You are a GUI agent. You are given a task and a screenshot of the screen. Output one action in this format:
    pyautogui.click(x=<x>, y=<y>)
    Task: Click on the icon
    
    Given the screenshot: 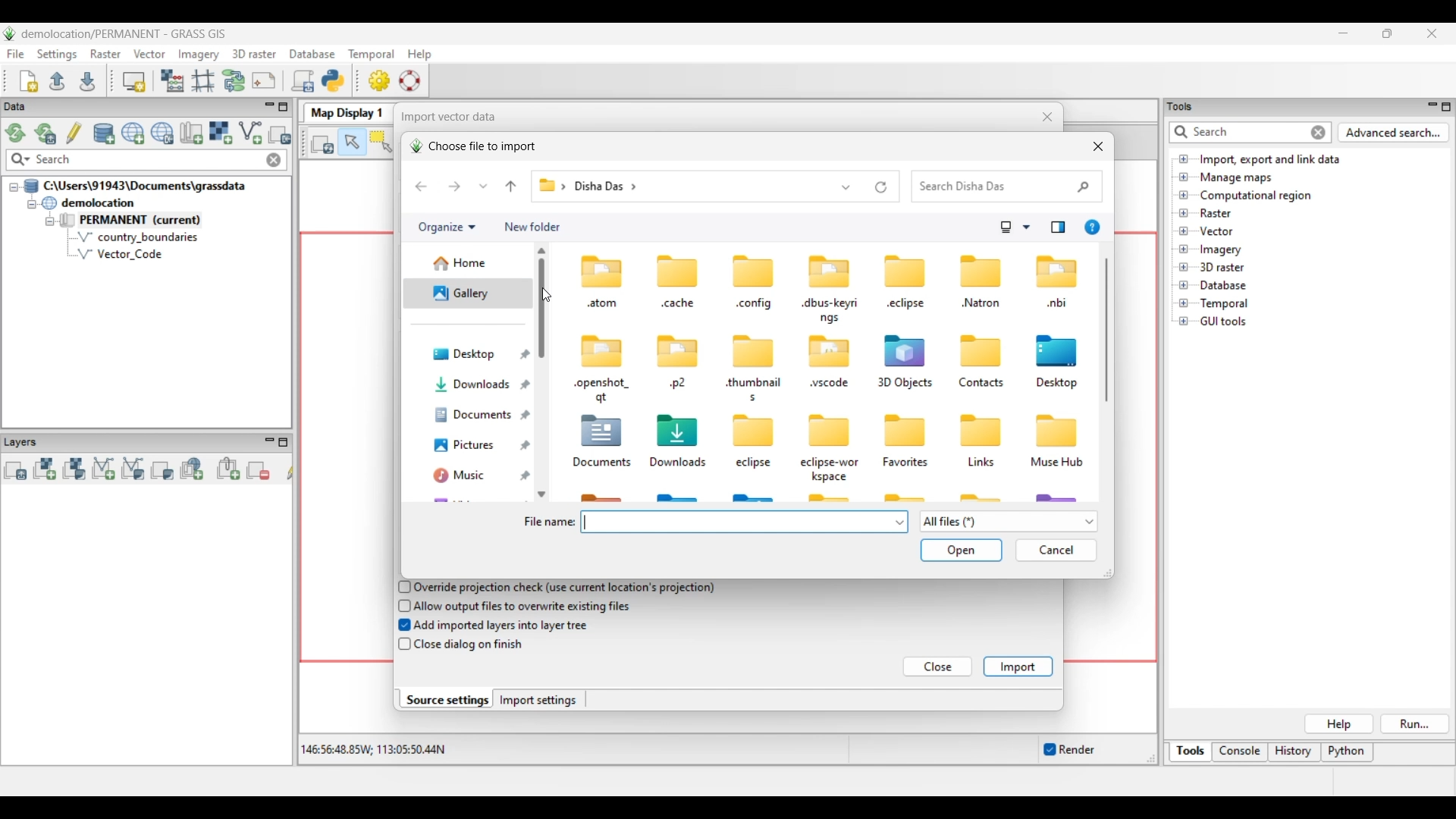 What is the action you would take?
    pyautogui.click(x=981, y=270)
    